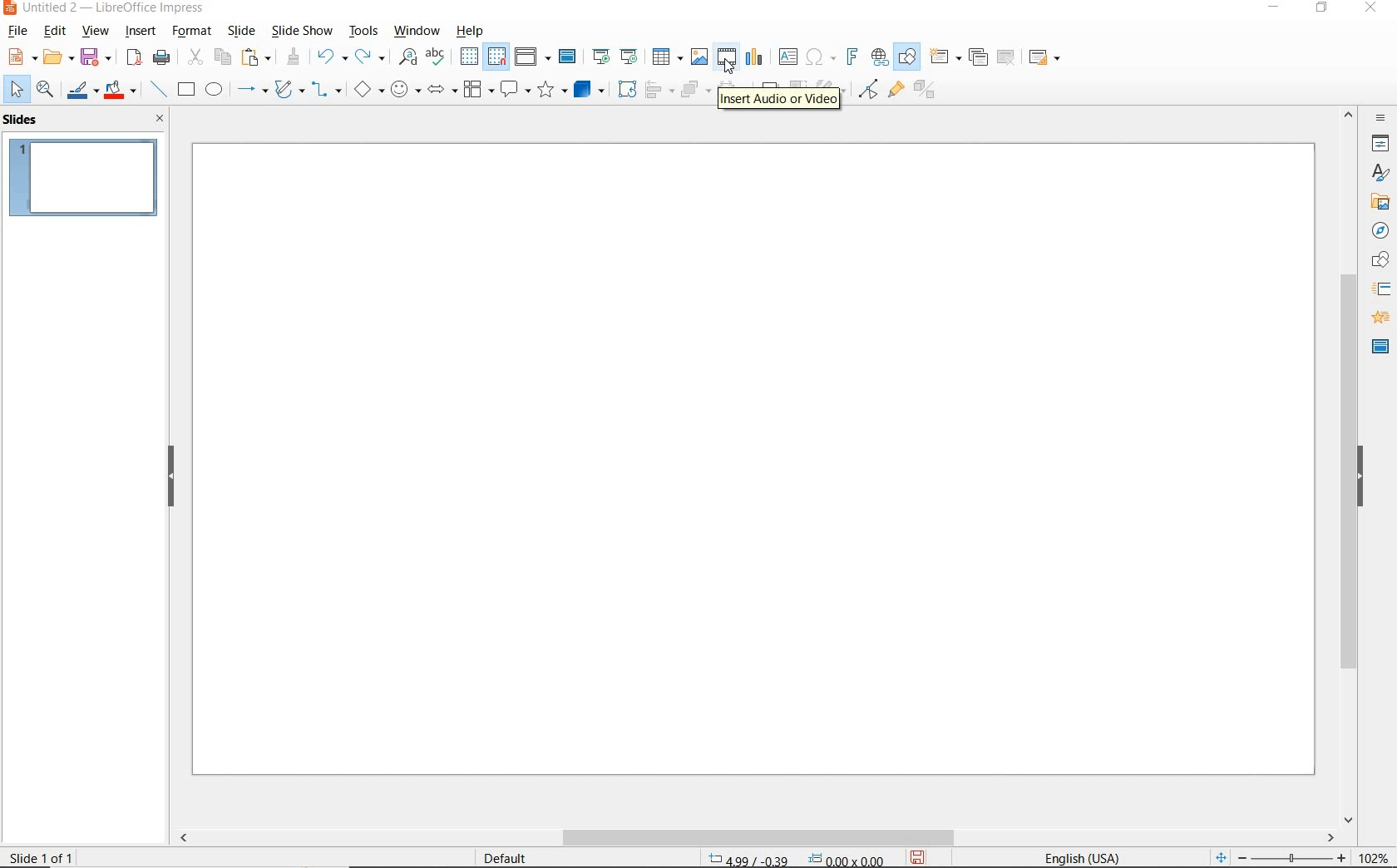  Describe the element at coordinates (979, 59) in the screenshot. I see `DUPLICATE SLIDE` at that location.